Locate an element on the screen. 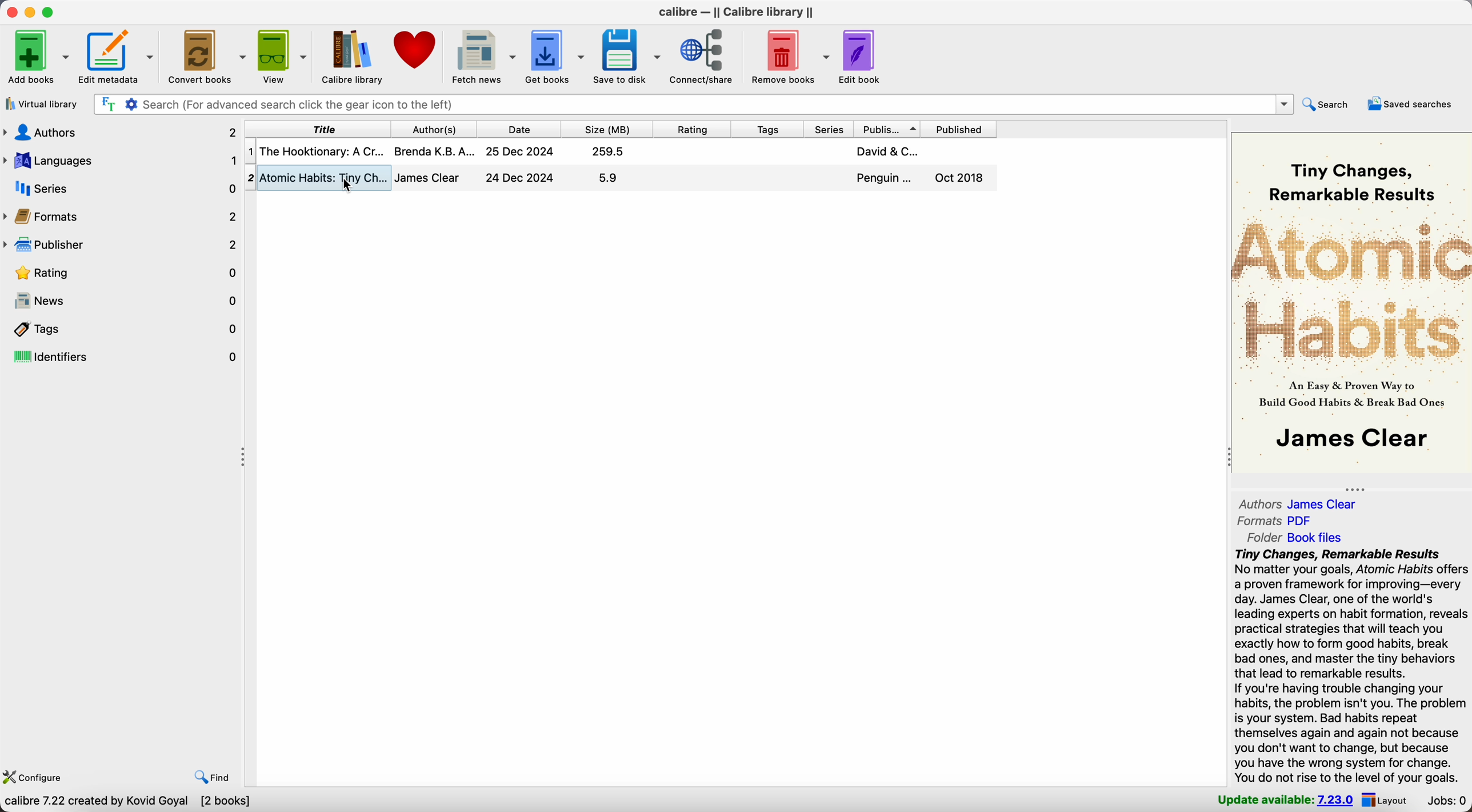 The image size is (1472, 812). publisher is located at coordinates (890, 127).